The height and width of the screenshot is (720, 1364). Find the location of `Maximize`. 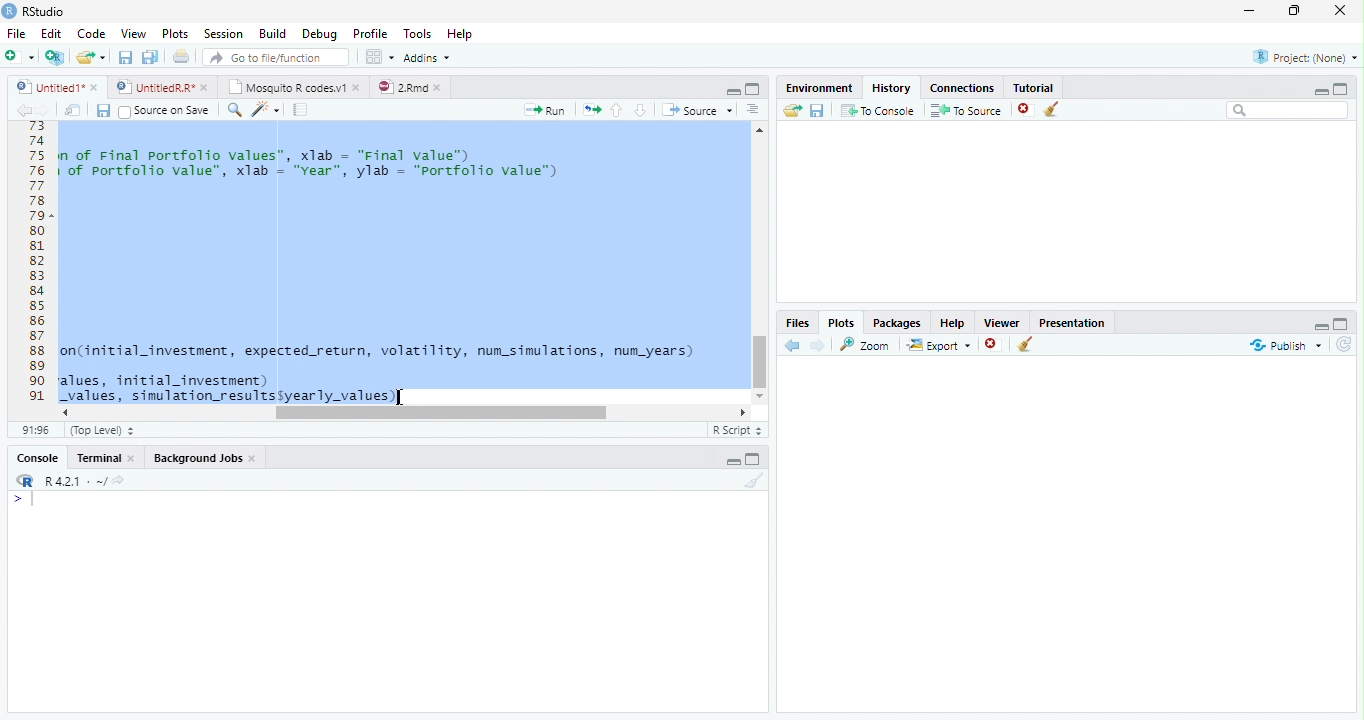

Maximize is located at coordinates (1299, 12).